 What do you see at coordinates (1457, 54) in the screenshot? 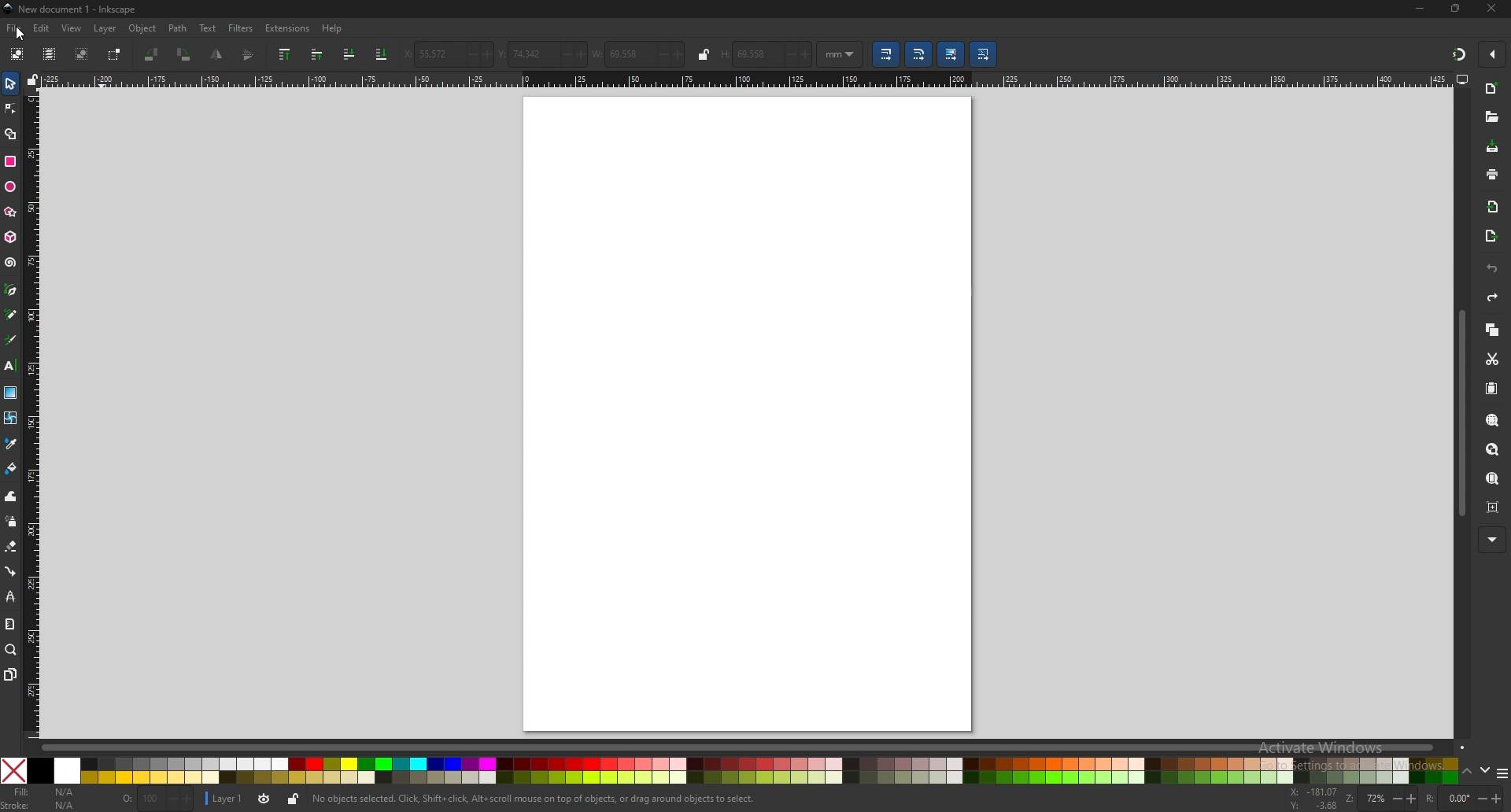
I see `snapping` at bounding box center [1457, 54].